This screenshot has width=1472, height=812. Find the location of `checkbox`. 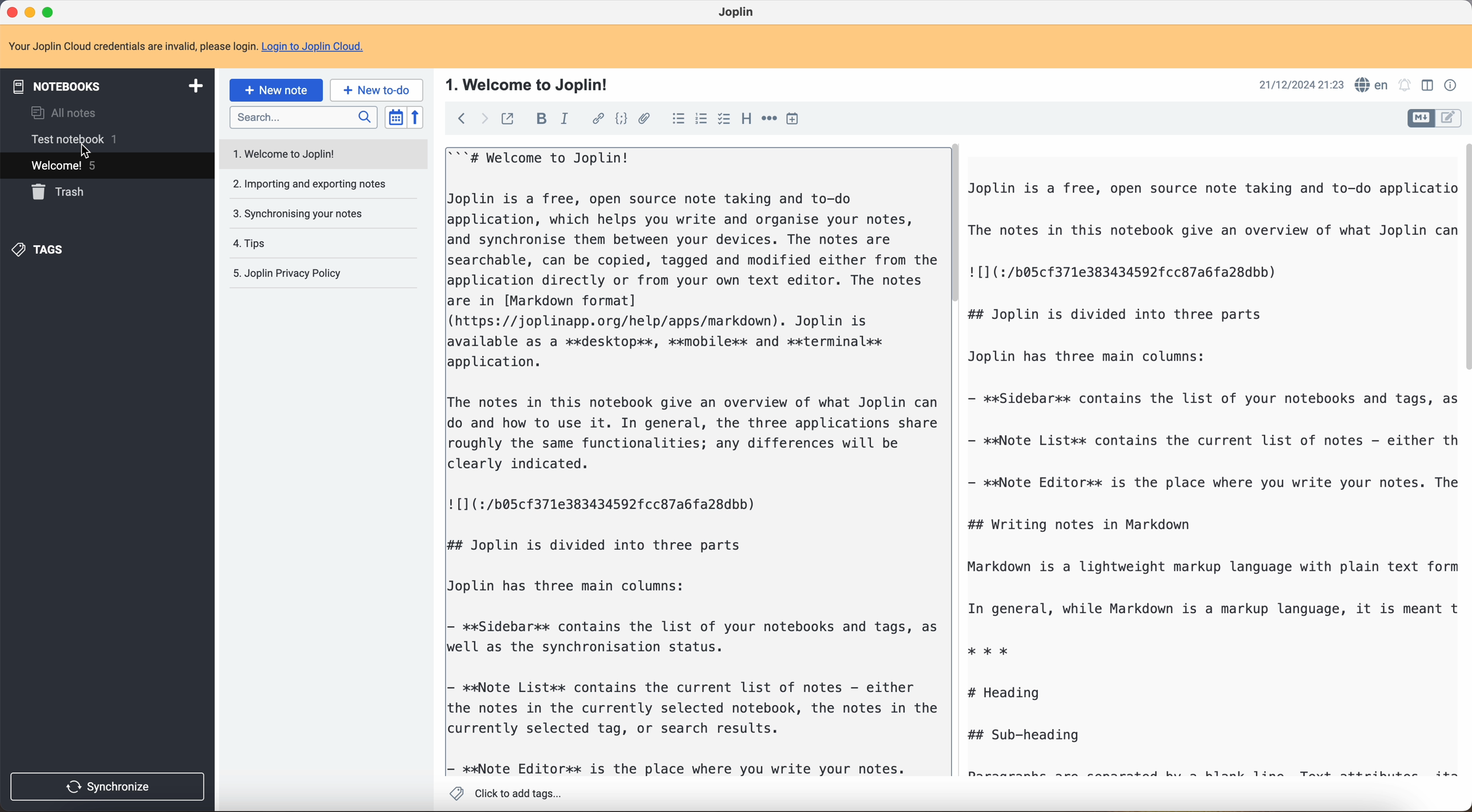

checkbox is located at coordinates (725, 119).